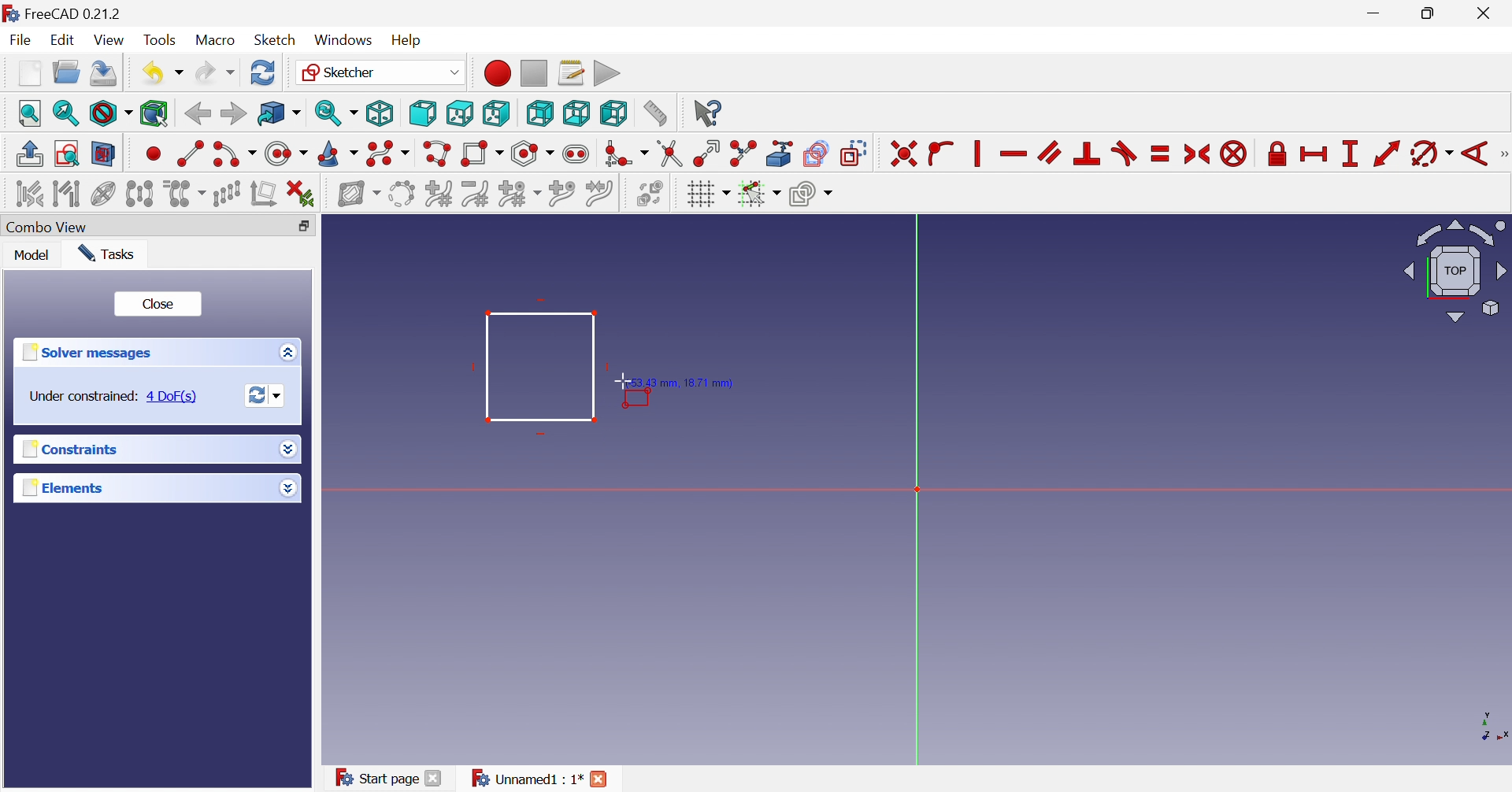 Image resolution: width=1512 pixels, height=792 pixels. What do you see at coordinates (400, 194) in the screenshot?
I see `Convert geometry to B-spline` at bounding box center [400, 194].